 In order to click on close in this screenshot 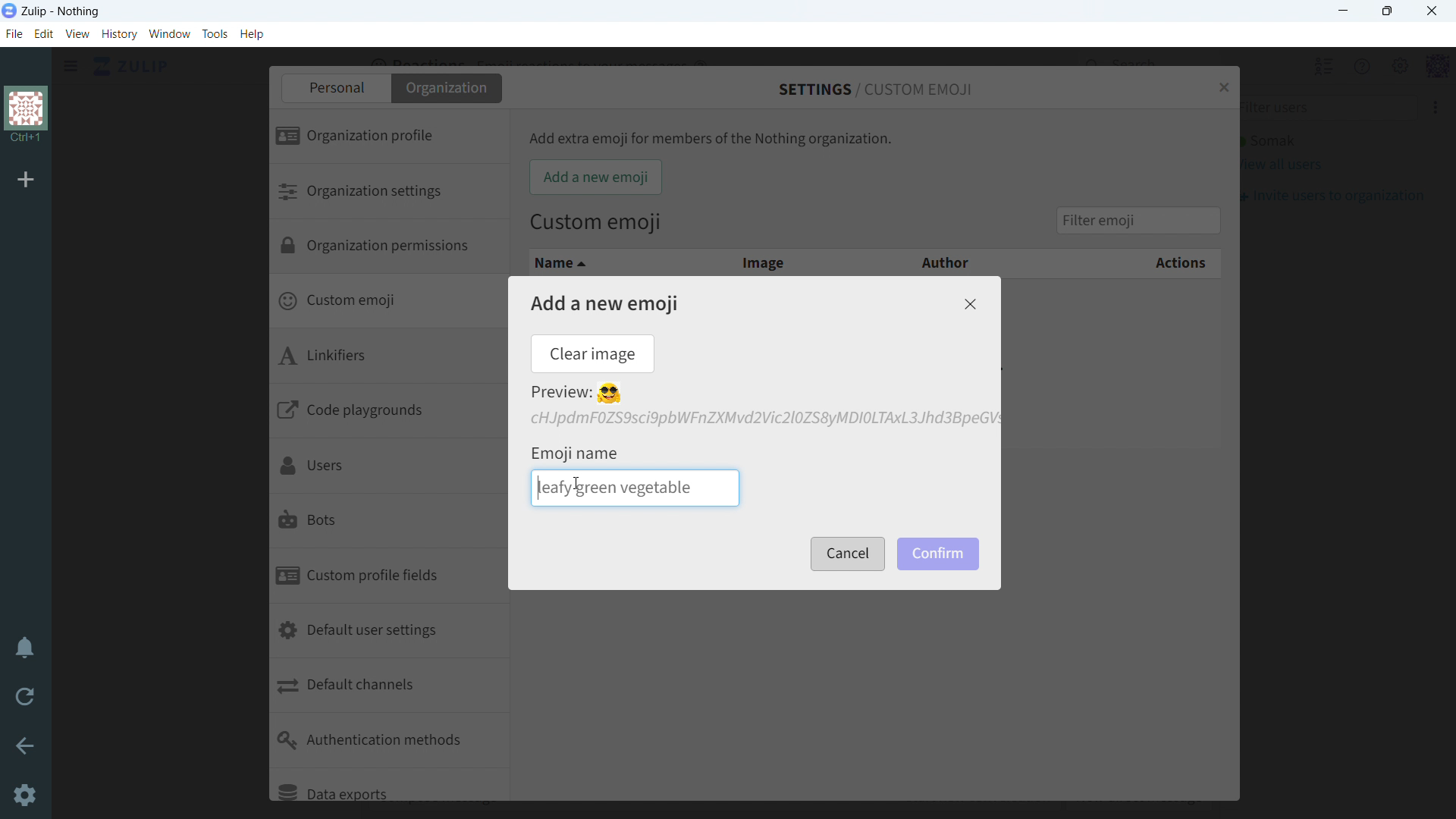, I will do `click(1222, 86)`.